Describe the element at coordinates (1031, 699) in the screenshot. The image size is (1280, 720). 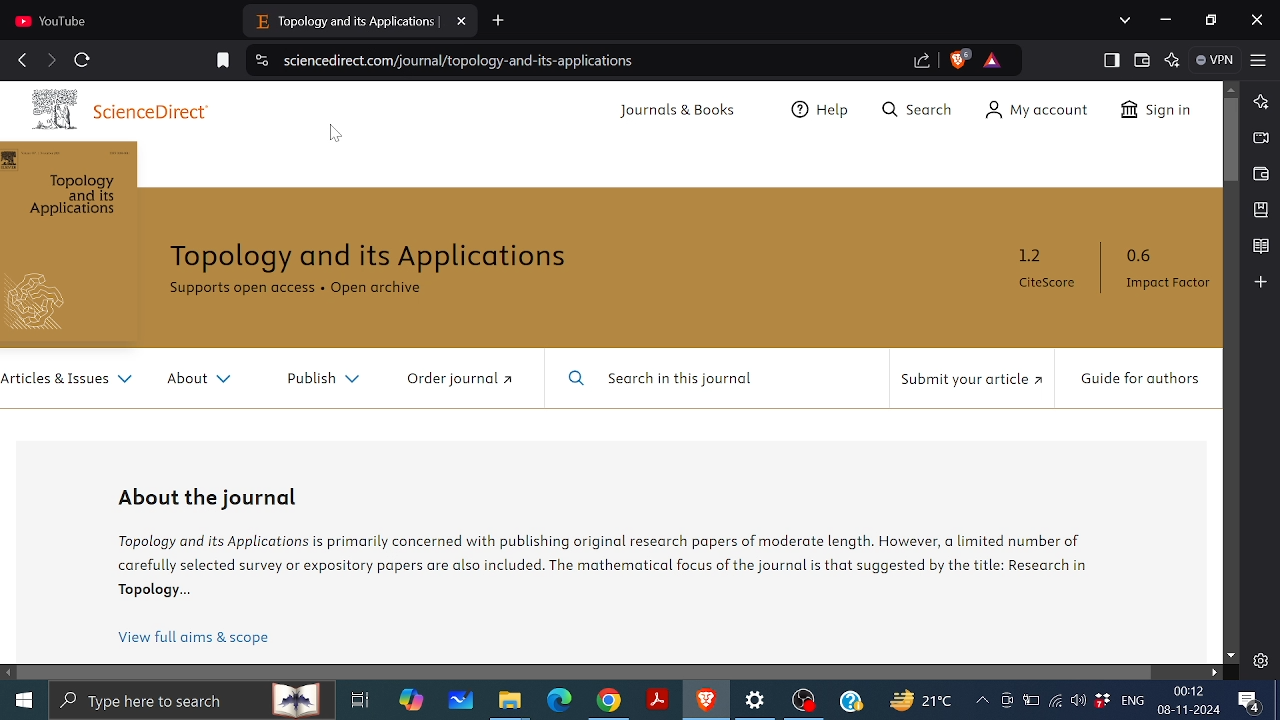
I see `Battery` at that location.